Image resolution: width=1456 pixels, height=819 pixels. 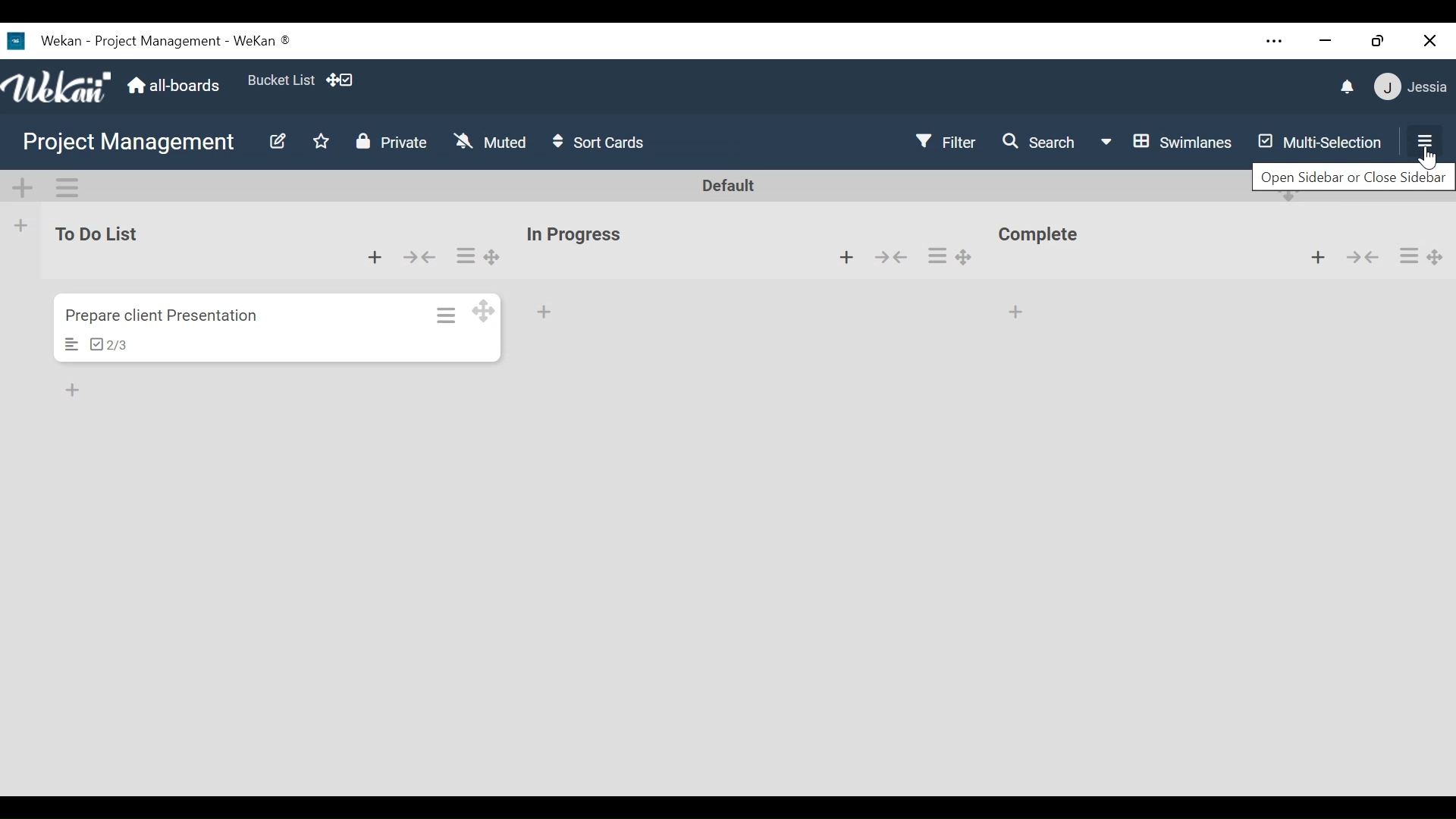 I want to click on Favorites, so click(x=319, y=142).